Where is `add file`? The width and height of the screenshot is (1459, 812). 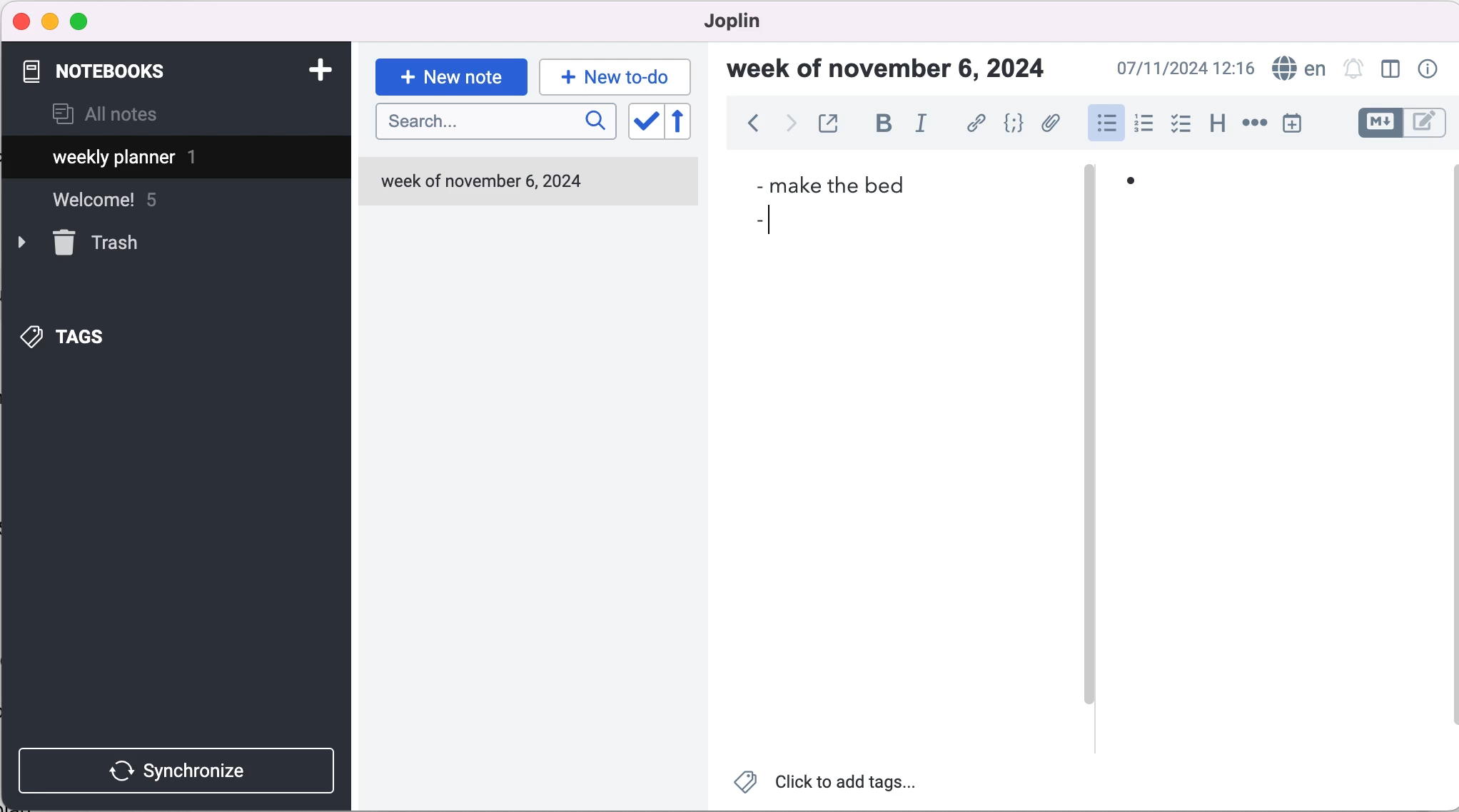 add file is located at coordinates (1051, 126).